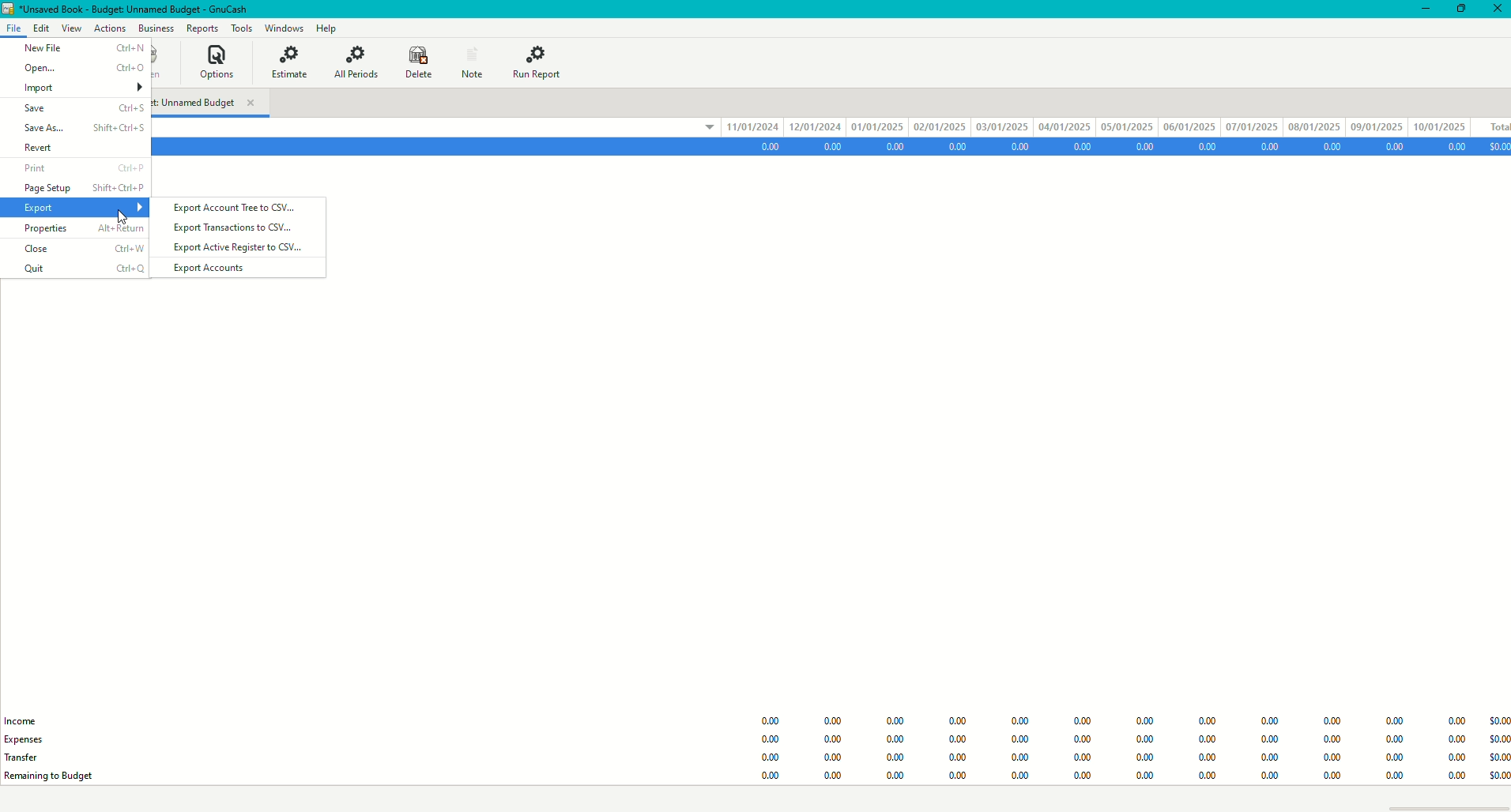 This screenshot has width=1511, height=812. Describe the element at coordinates (473, 60) in the screenshot. I see `Note` at that location.